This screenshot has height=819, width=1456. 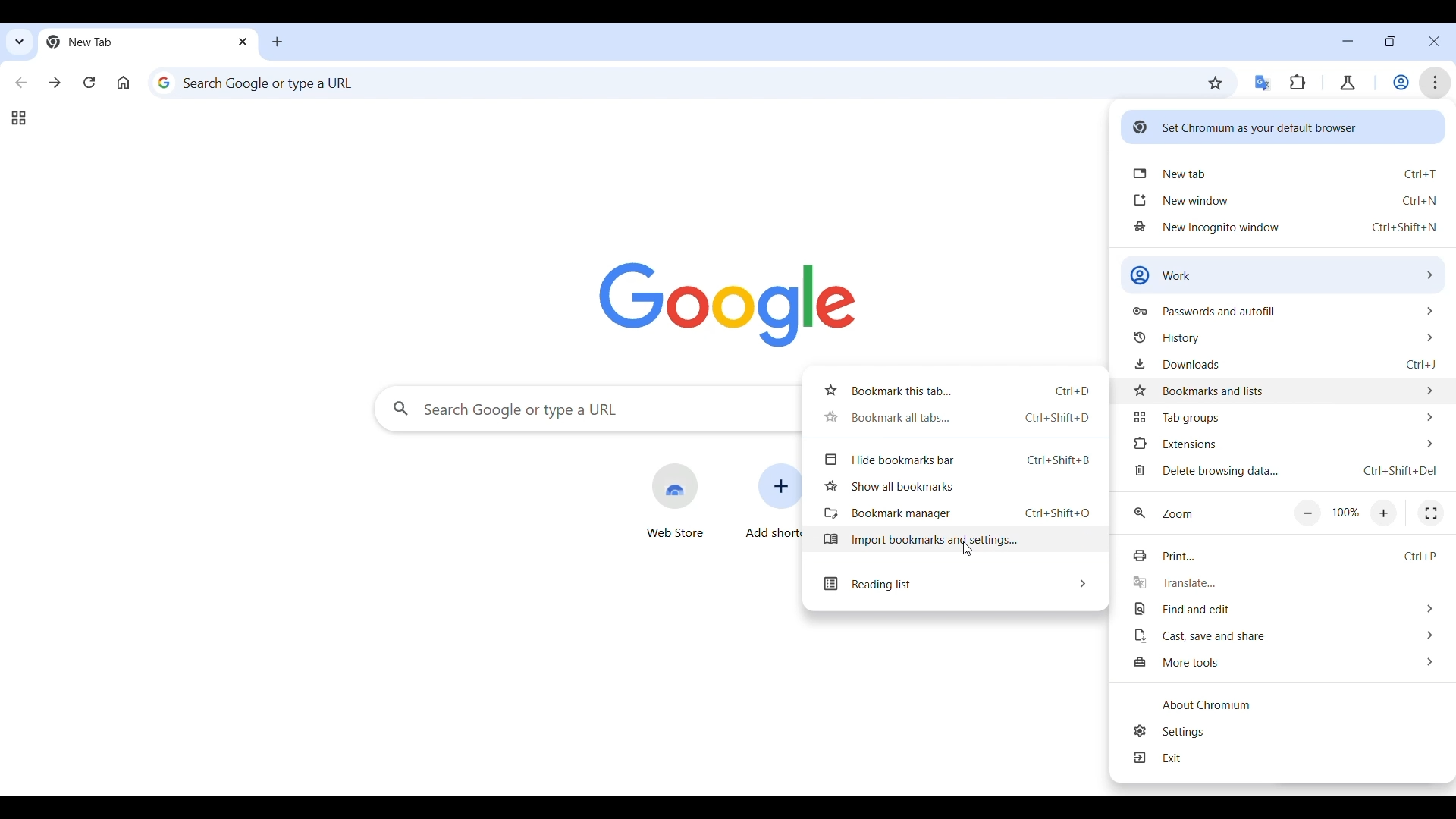 I want to click on Search Google or type a url, so click(x=586, y=409).